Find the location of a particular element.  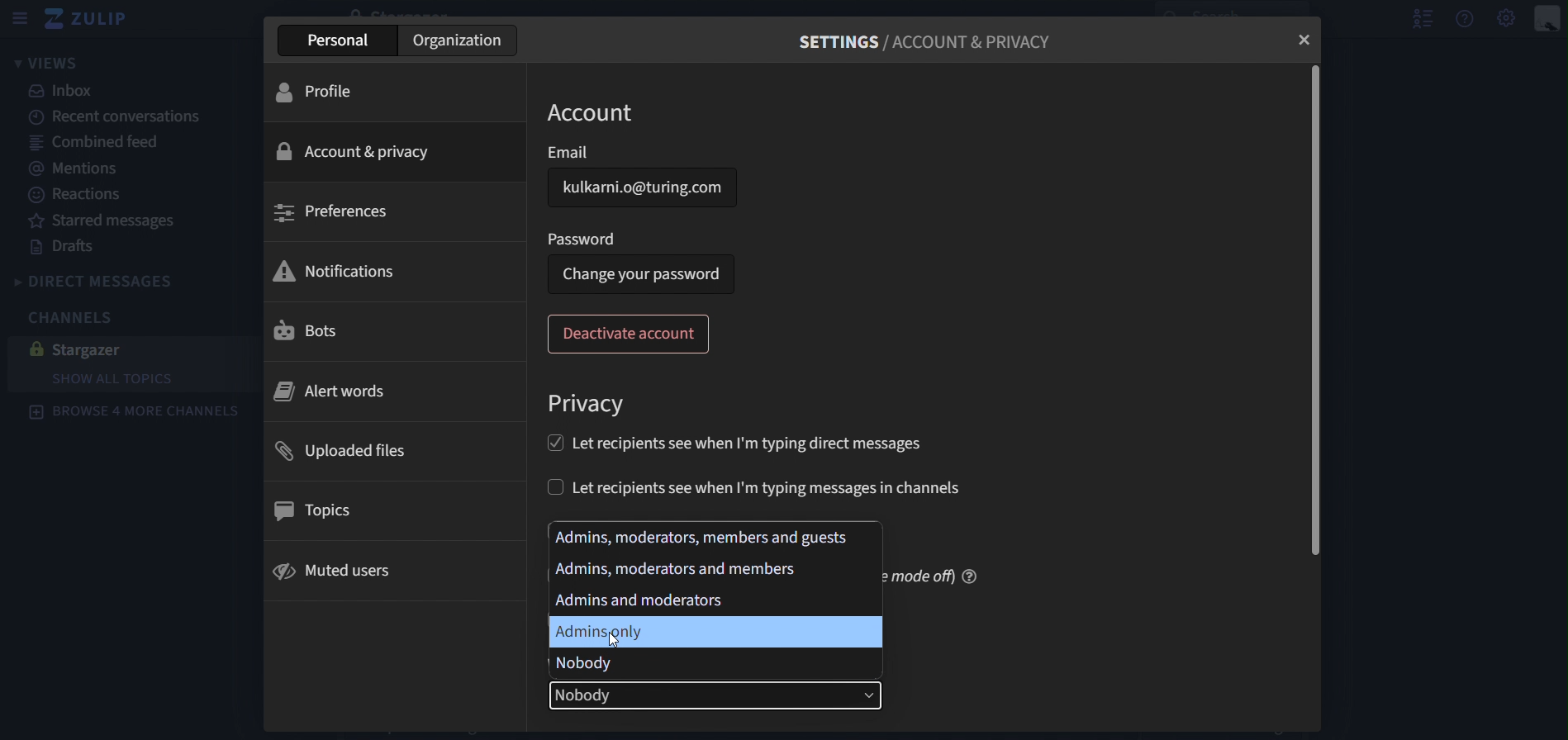

recent canversations is located at coordinates (120, 116).